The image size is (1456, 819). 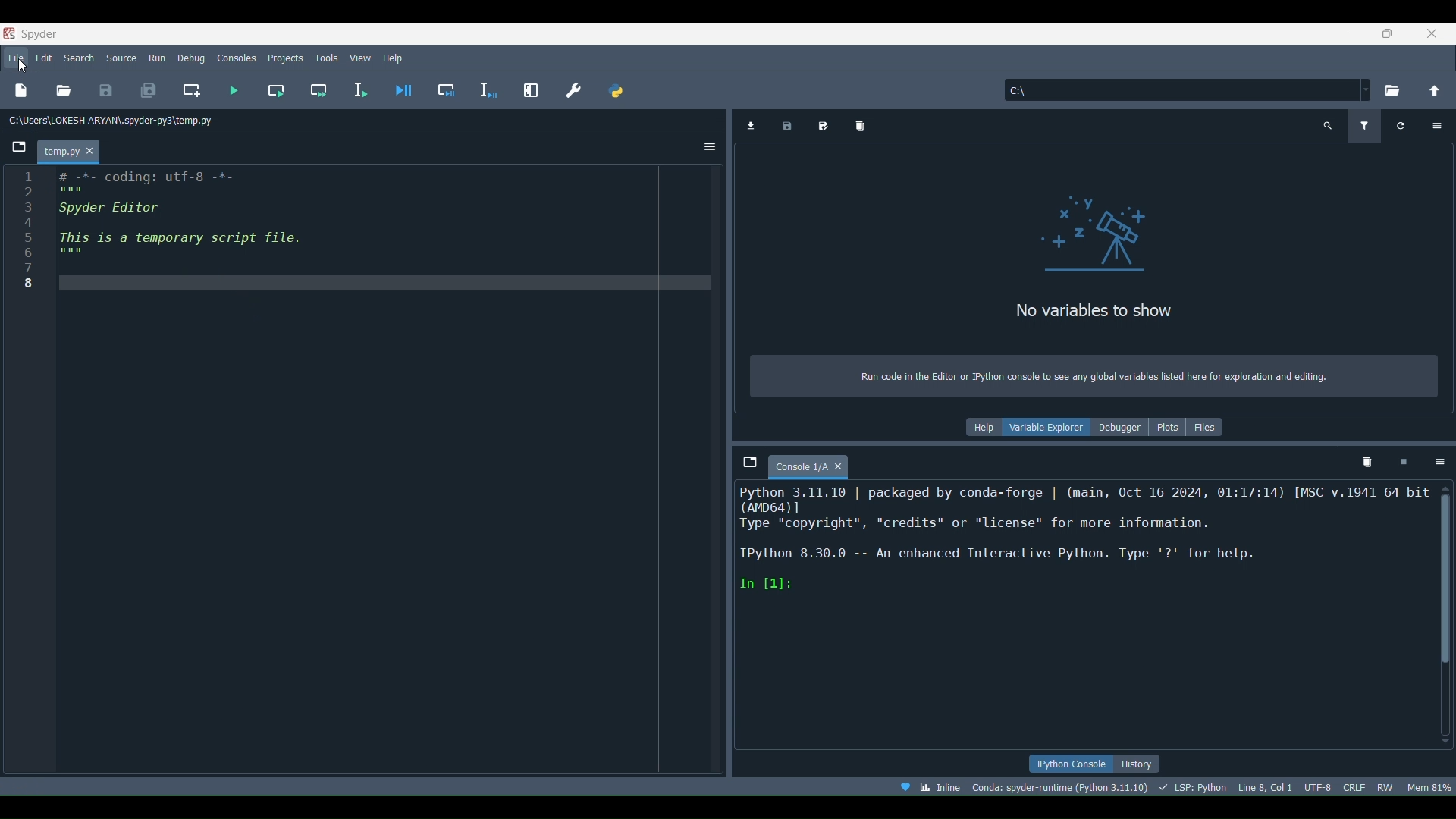 What do you see at coordinates (1071, 764) in the screenshot?
I see `IPython Console` at bounding box center [1071, 764].